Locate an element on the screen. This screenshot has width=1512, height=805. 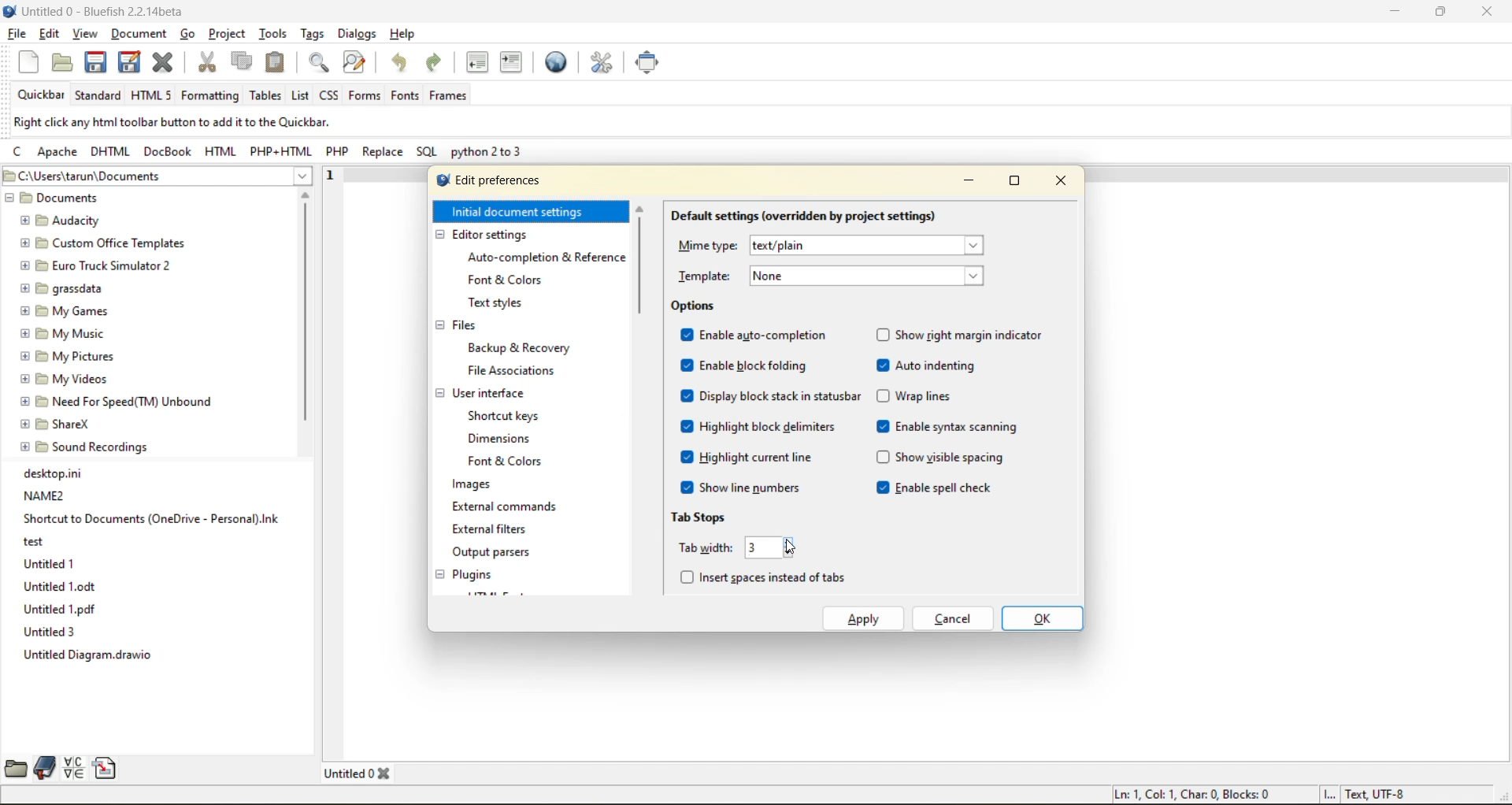
preview  in browser is located at coordinates (561, 62).